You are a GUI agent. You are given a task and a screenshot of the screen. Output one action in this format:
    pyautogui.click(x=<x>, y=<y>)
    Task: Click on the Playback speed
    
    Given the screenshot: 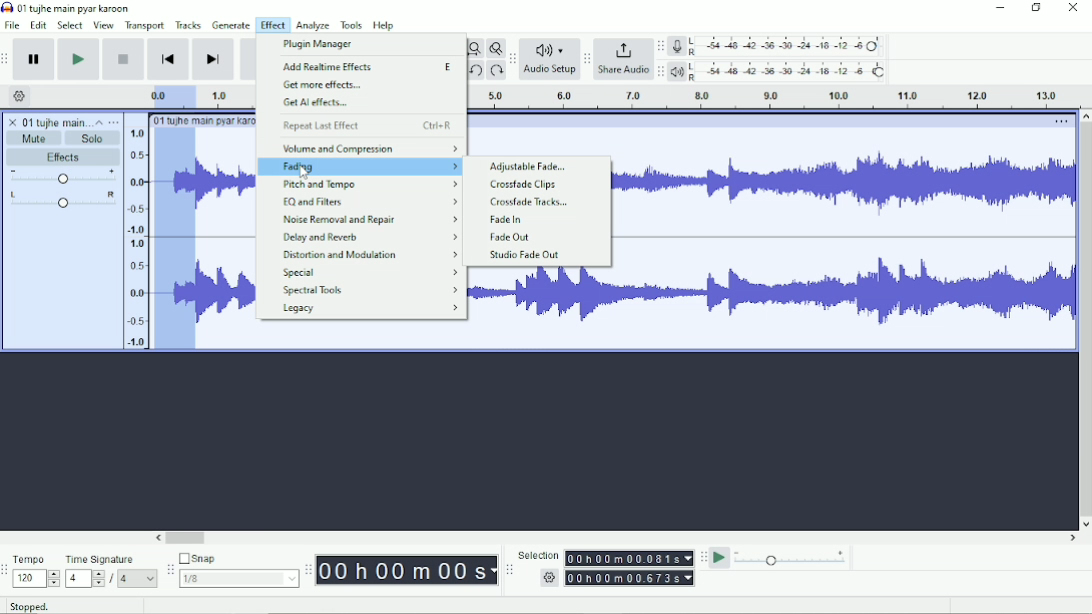 What is the action you would take?
    pyautogui.click(x=791, y=560)
    